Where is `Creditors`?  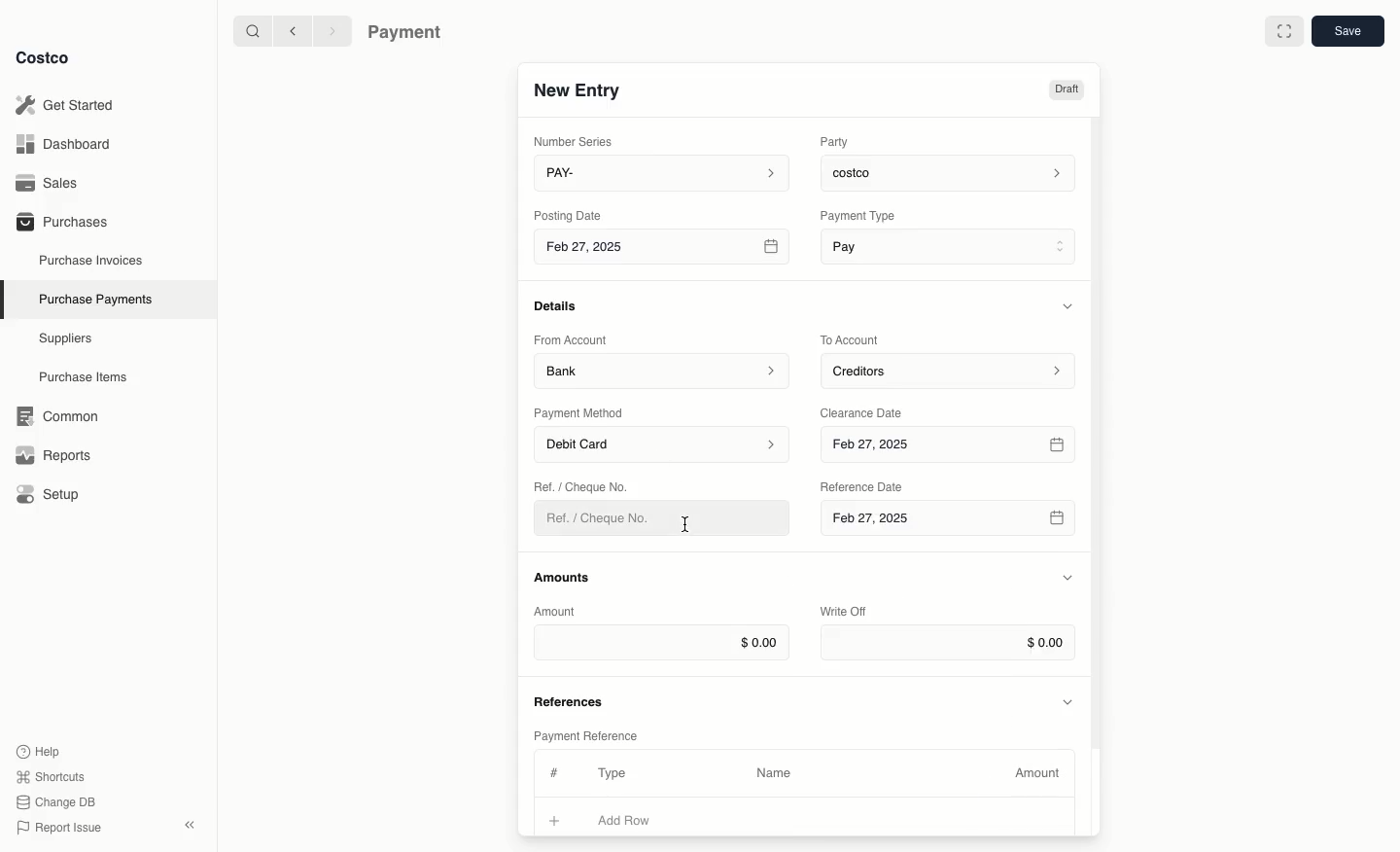 Creditors is located at coordinates (951, 370).